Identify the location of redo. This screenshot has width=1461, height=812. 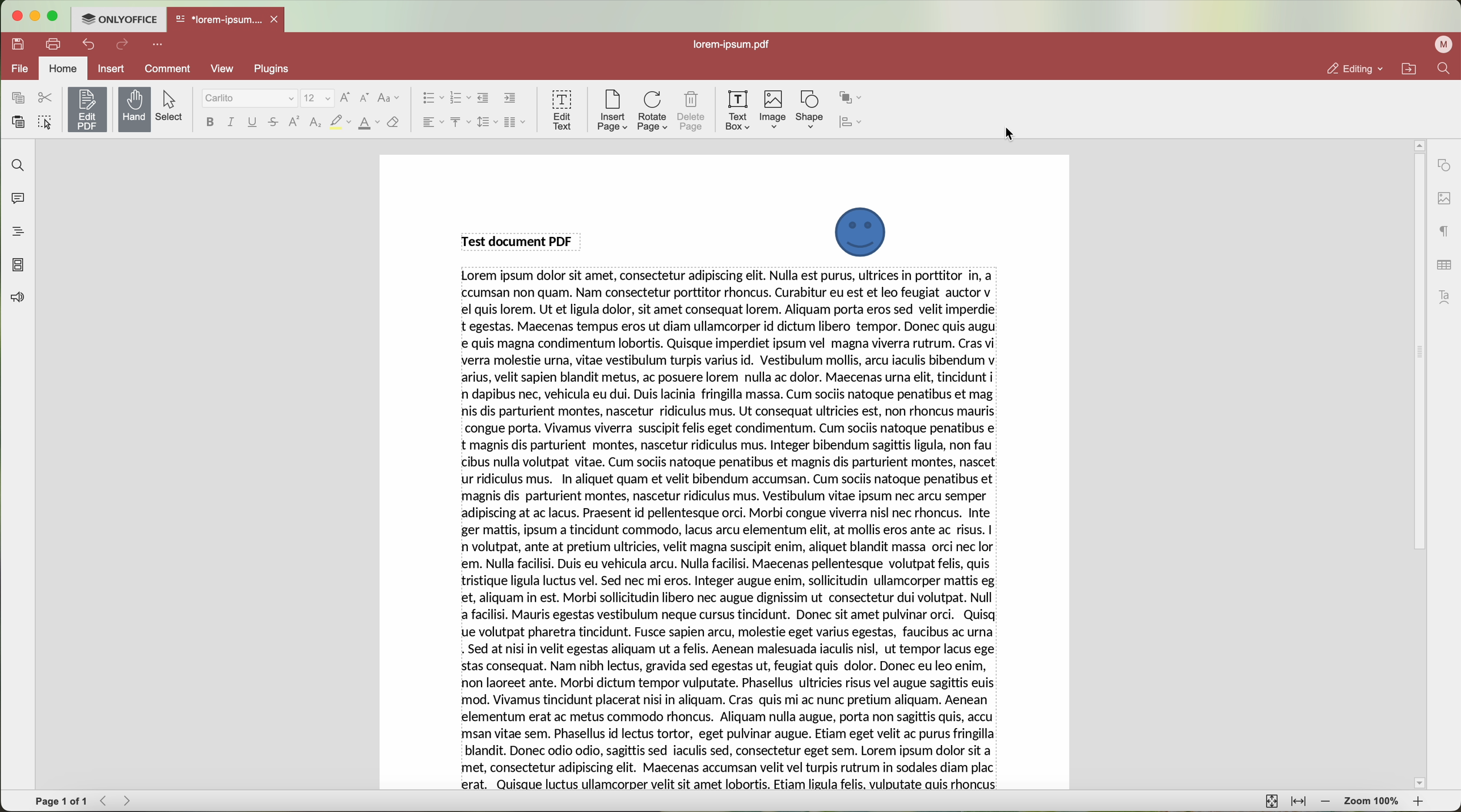
(124, 46).